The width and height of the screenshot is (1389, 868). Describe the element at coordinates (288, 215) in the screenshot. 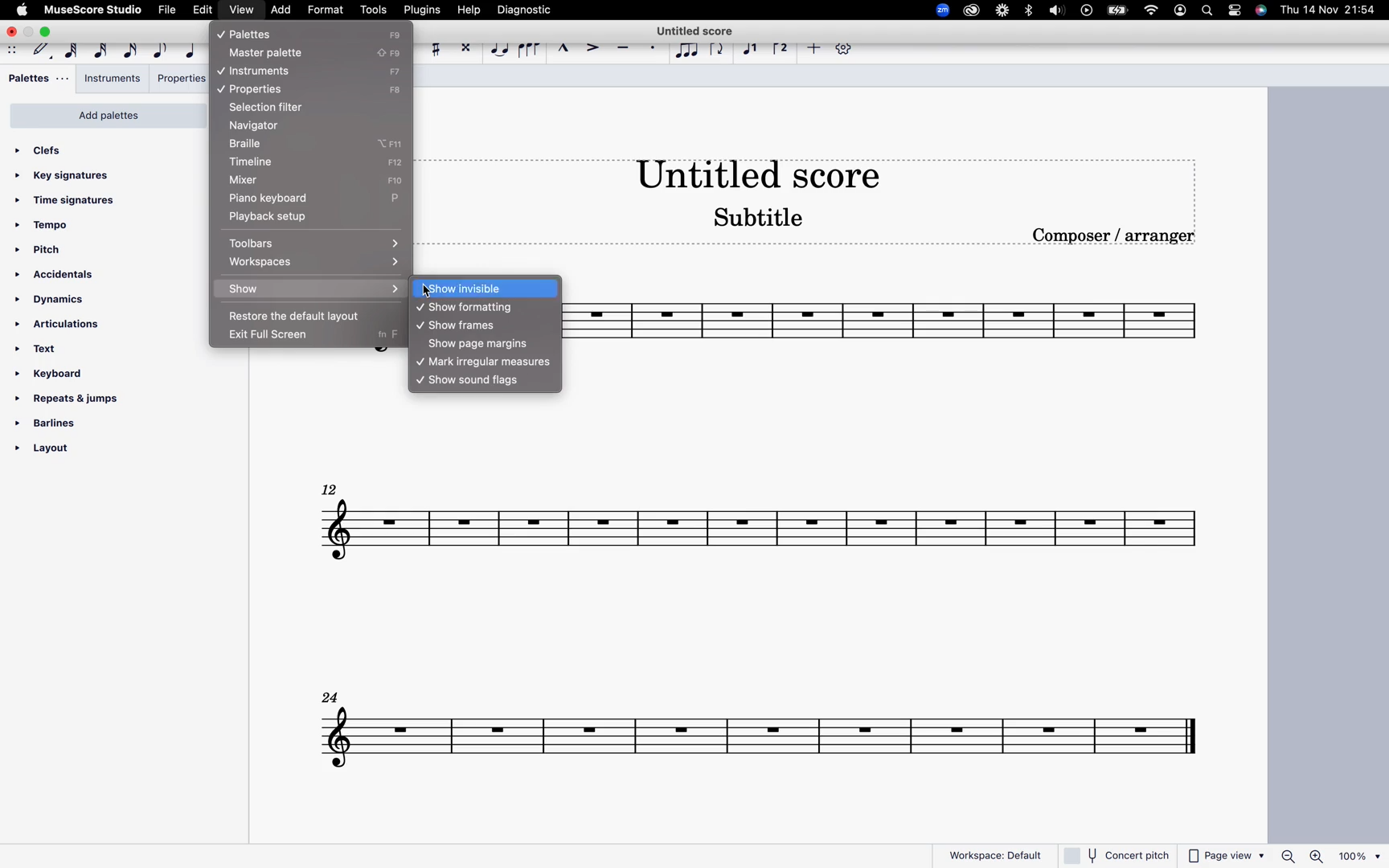

I see `playback setup` at that location.